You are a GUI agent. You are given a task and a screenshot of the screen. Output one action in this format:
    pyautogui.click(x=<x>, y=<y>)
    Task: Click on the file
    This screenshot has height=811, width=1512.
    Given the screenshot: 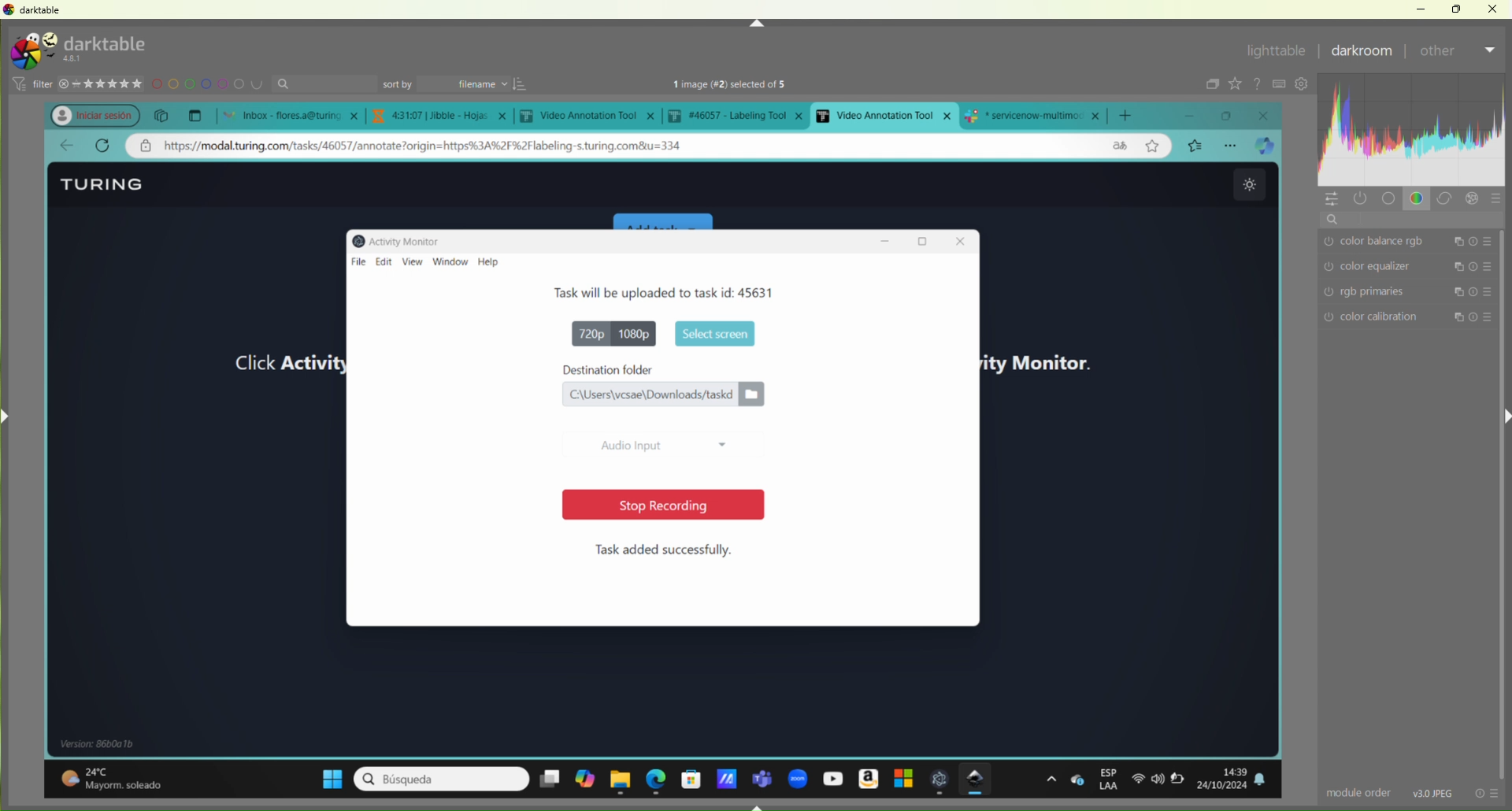 What is the action you would take?
    pyautogui.click(x=354, y=260)
    